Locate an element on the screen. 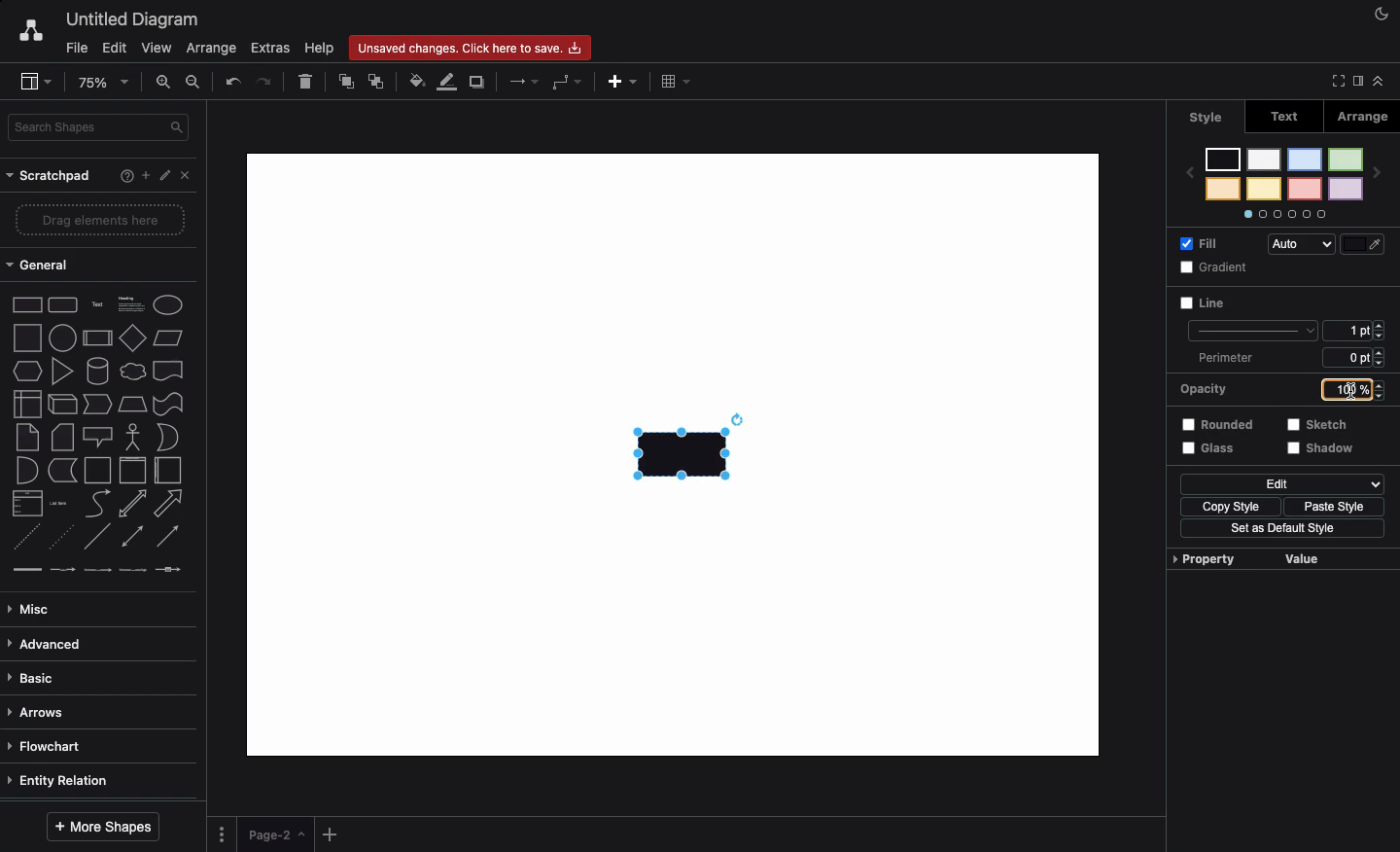  connector with label is located at coordinates (63, 569).